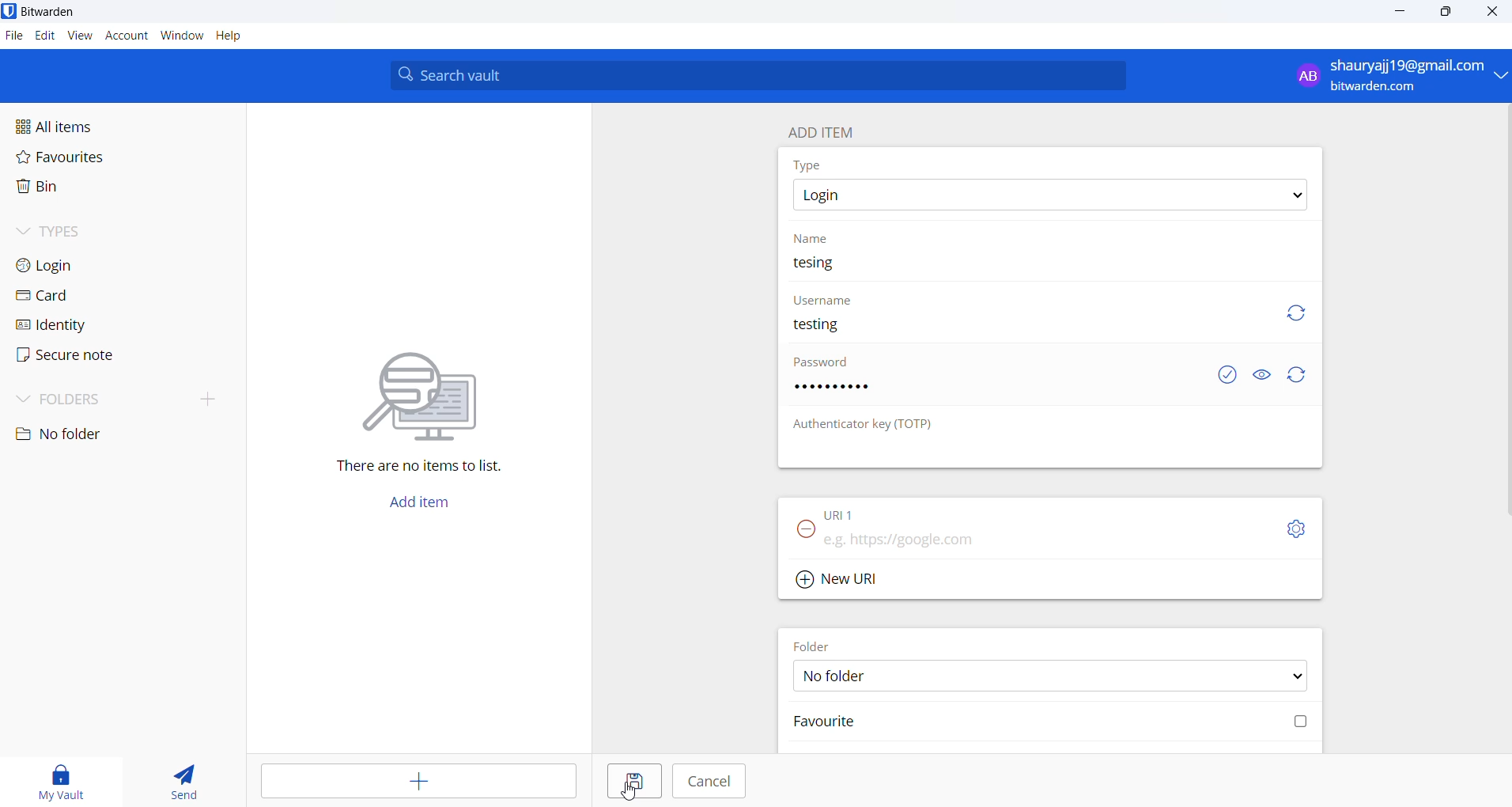 This screenshot has width=1512, height=807. I want to click on FOLDER HEADING, so click(819, 643).